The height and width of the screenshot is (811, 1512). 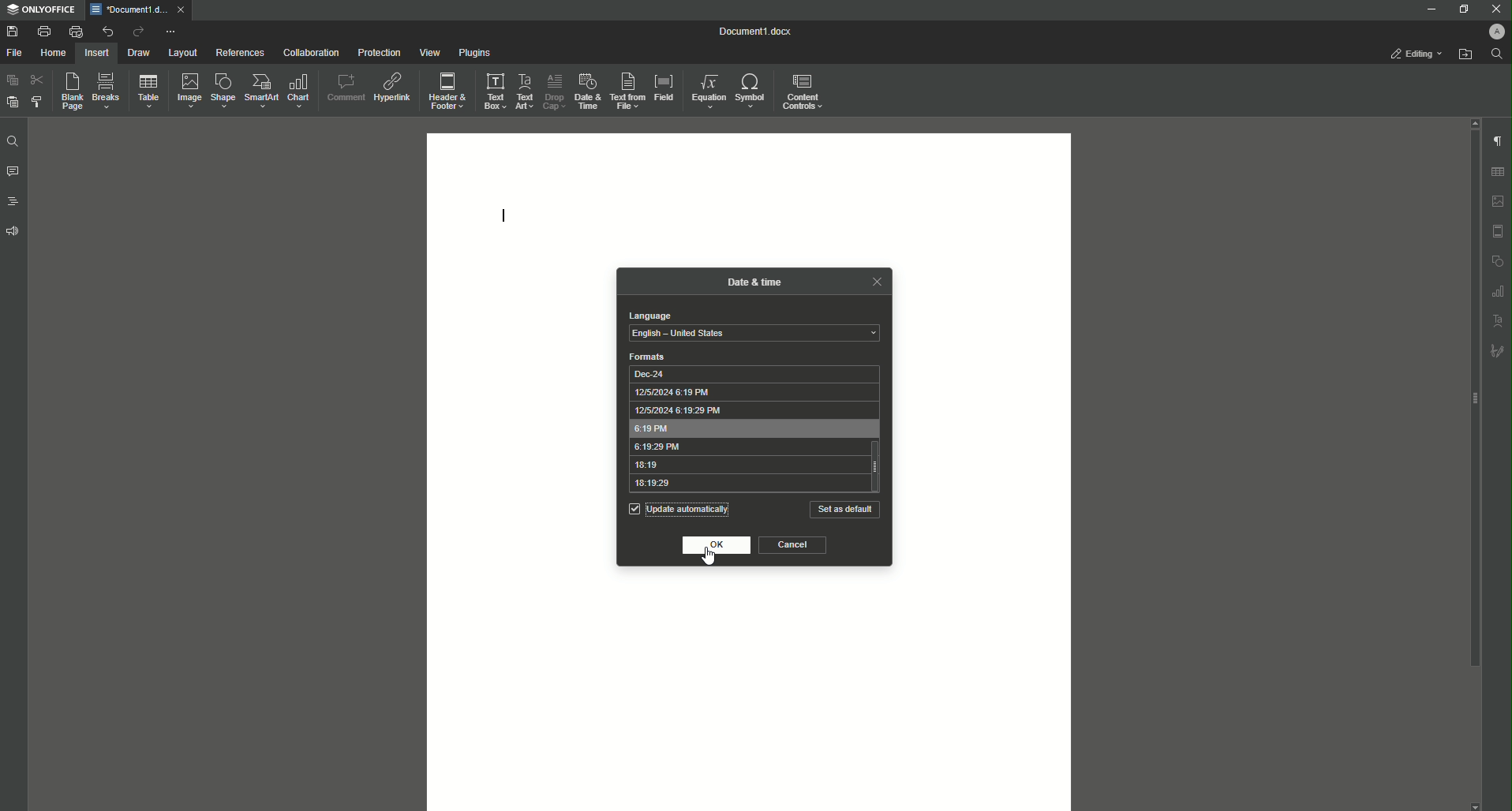 I want to click on References, so click(x=239, y=53).